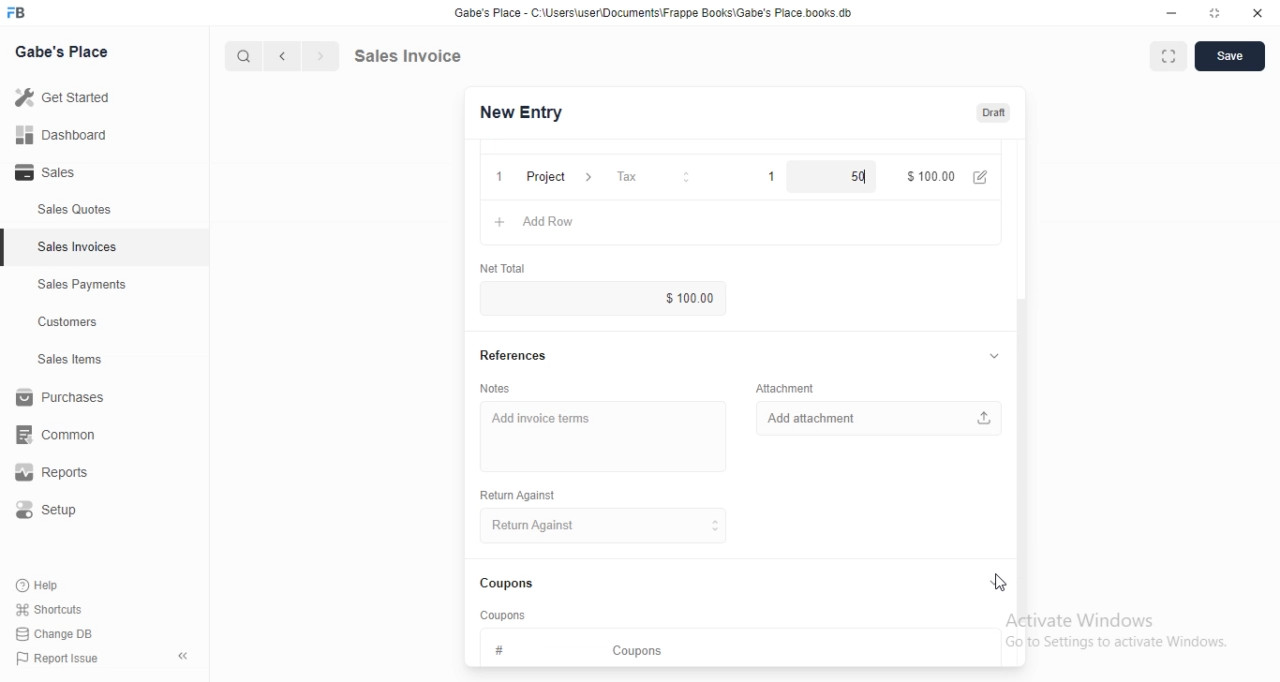  I want to click on Sales Invoices, so click(79, 247).